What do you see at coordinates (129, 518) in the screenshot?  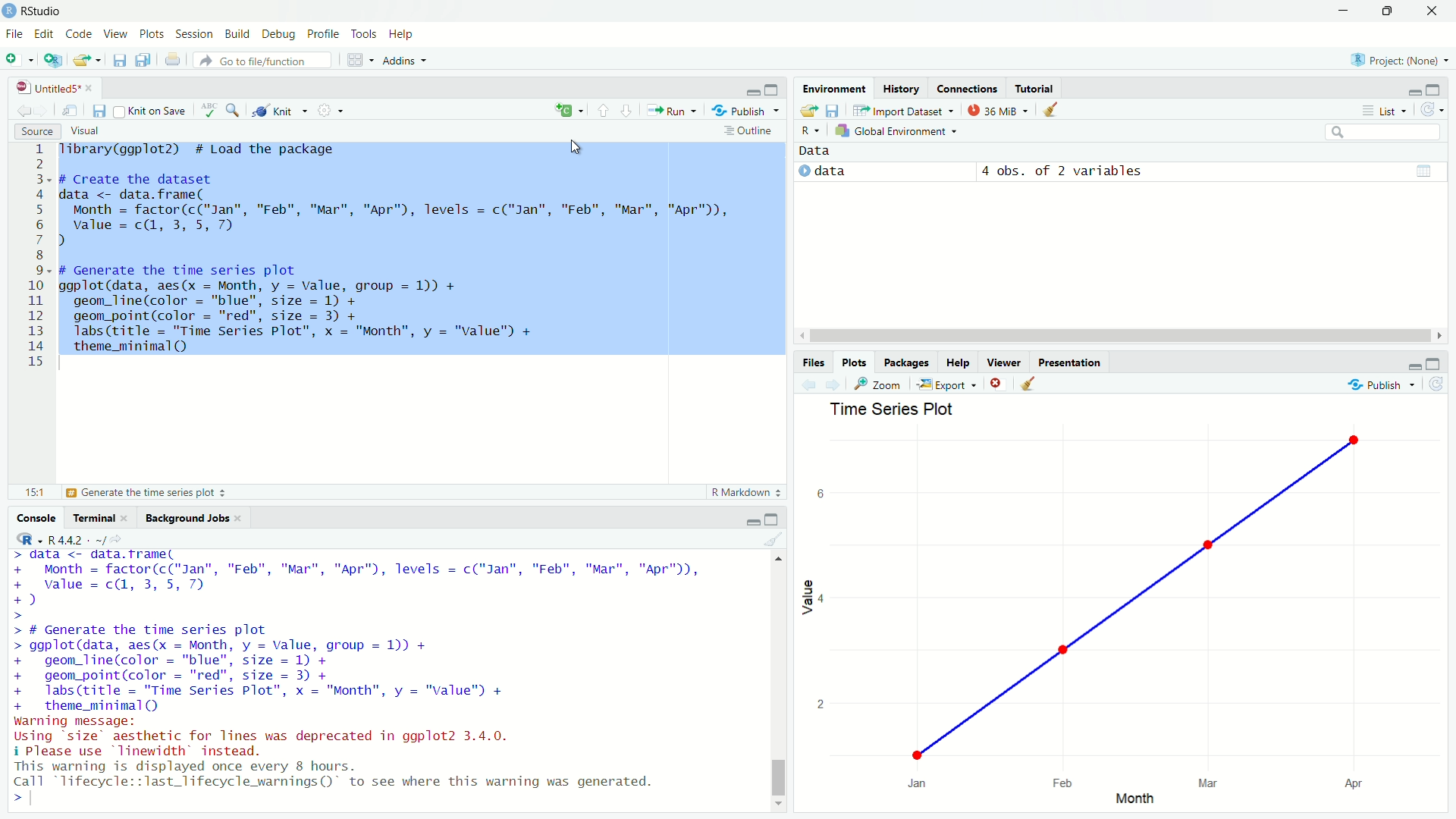 I see `close` at bounding box center [129, 518].